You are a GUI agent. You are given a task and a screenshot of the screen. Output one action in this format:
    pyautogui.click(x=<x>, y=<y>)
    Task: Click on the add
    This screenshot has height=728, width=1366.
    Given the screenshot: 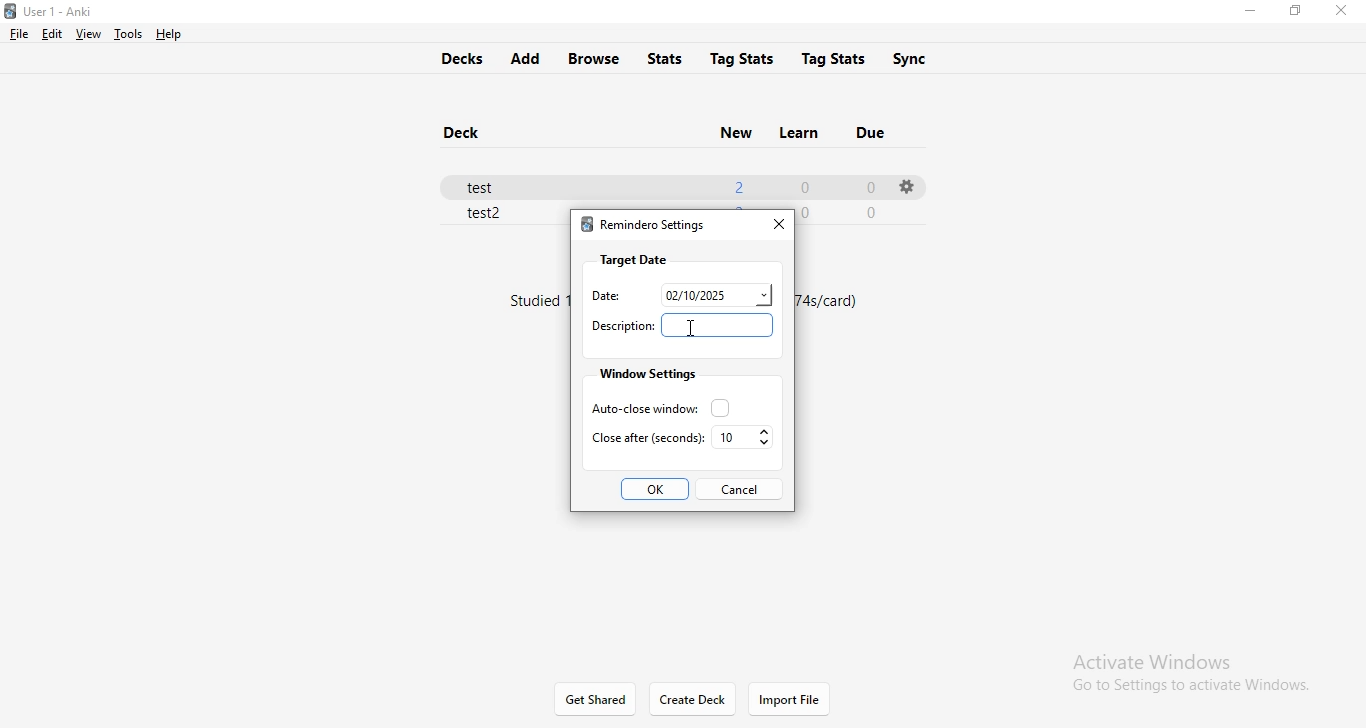 What is the action you would take?
    pyautogui.click(x=524, y=59)
    